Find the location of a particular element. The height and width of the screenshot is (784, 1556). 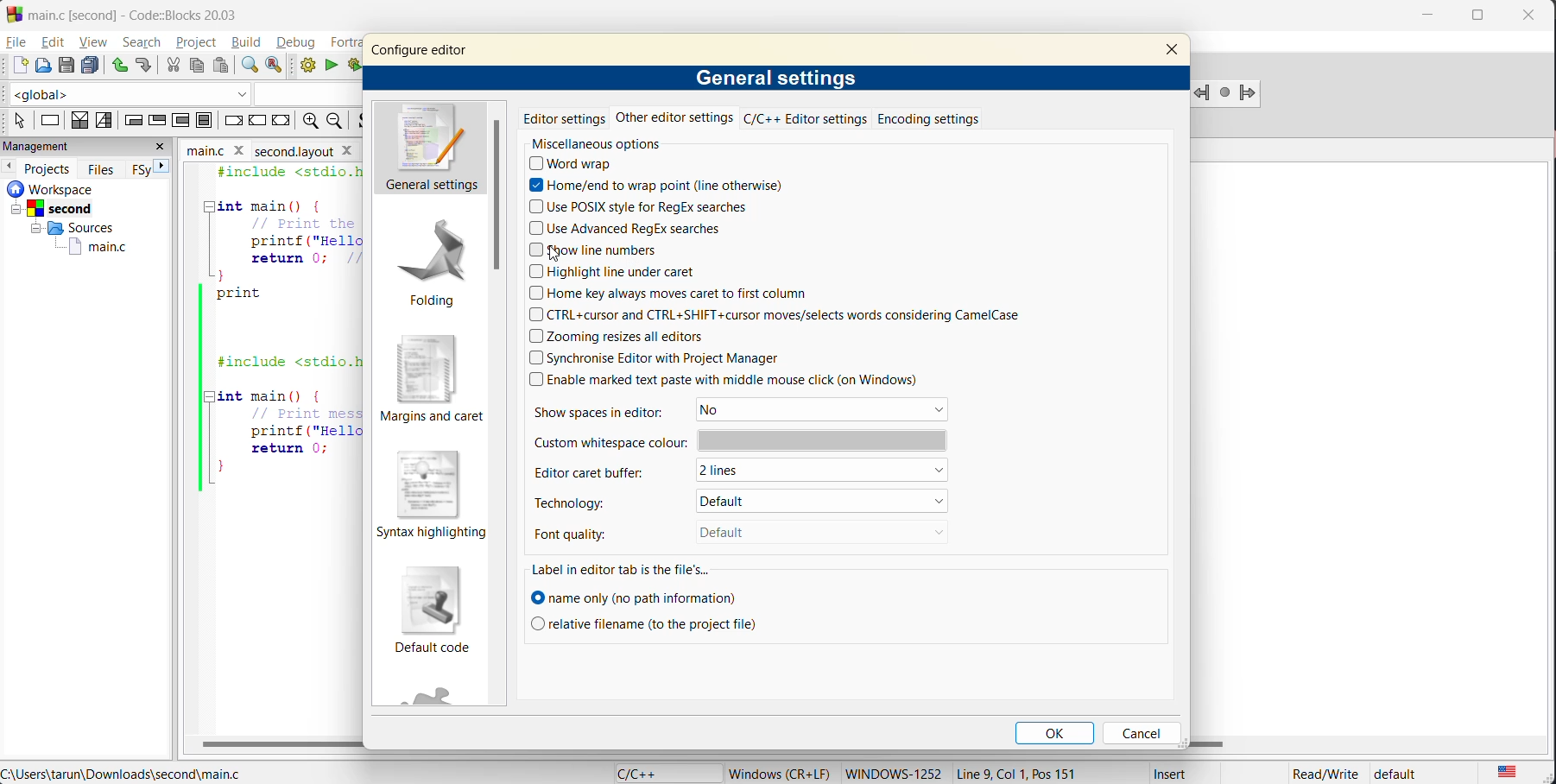

edit is located at coordinates (56, 41).